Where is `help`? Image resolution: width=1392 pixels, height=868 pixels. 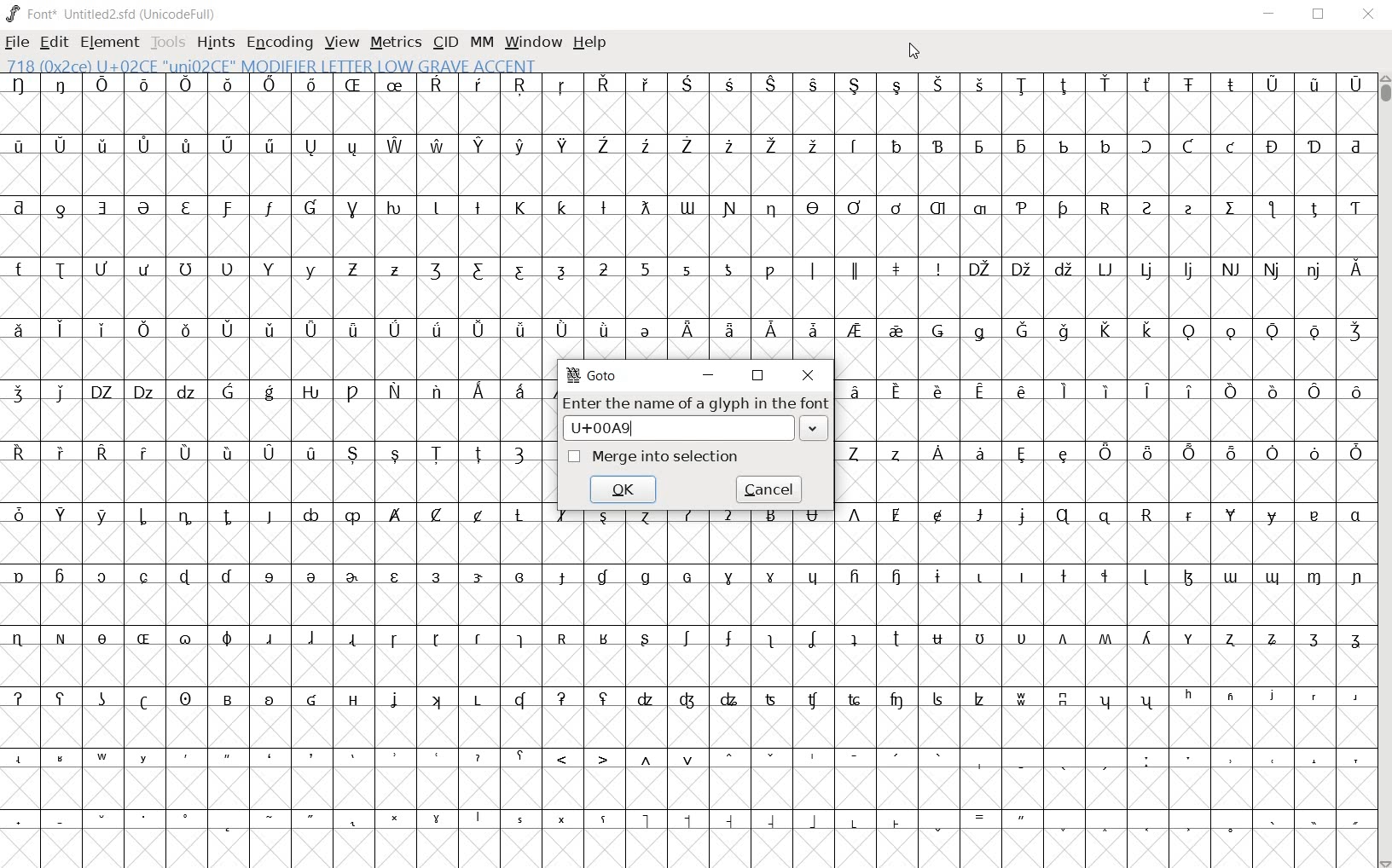
help is located at coordinates (589, 43).